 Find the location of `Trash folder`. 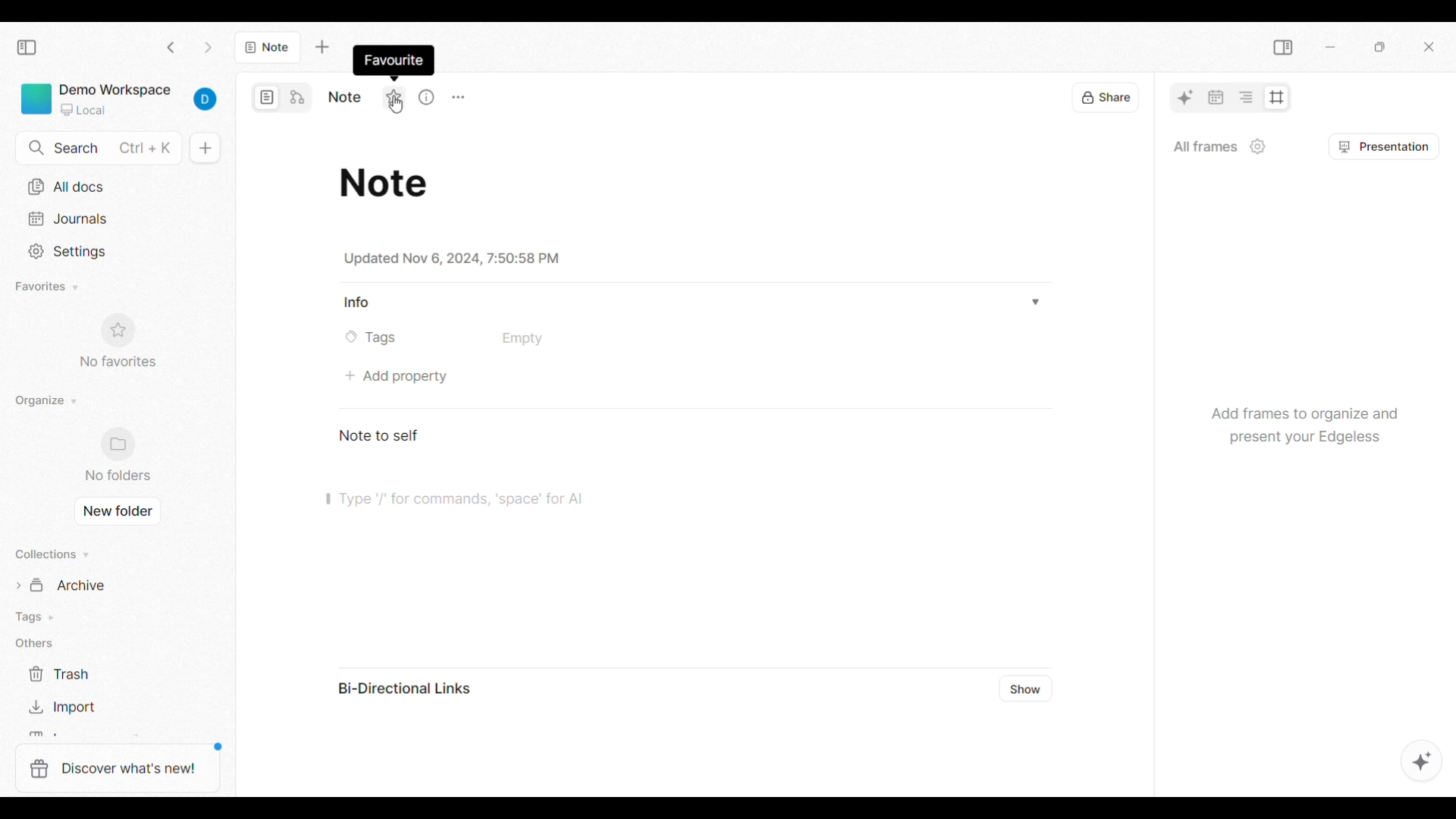

Trash folder is located at coordinates (99, 675).